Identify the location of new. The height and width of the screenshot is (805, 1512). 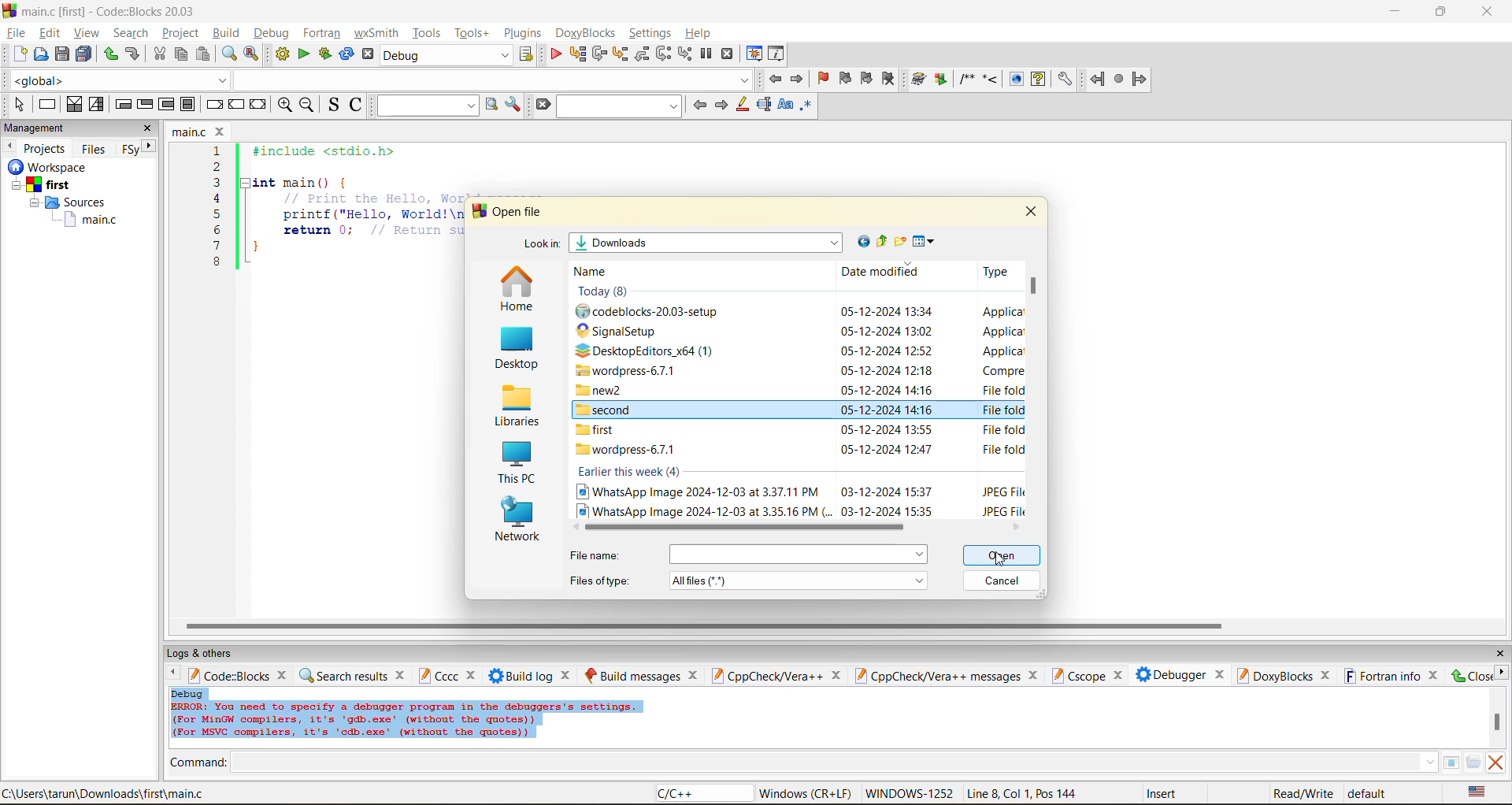
(20, 54).